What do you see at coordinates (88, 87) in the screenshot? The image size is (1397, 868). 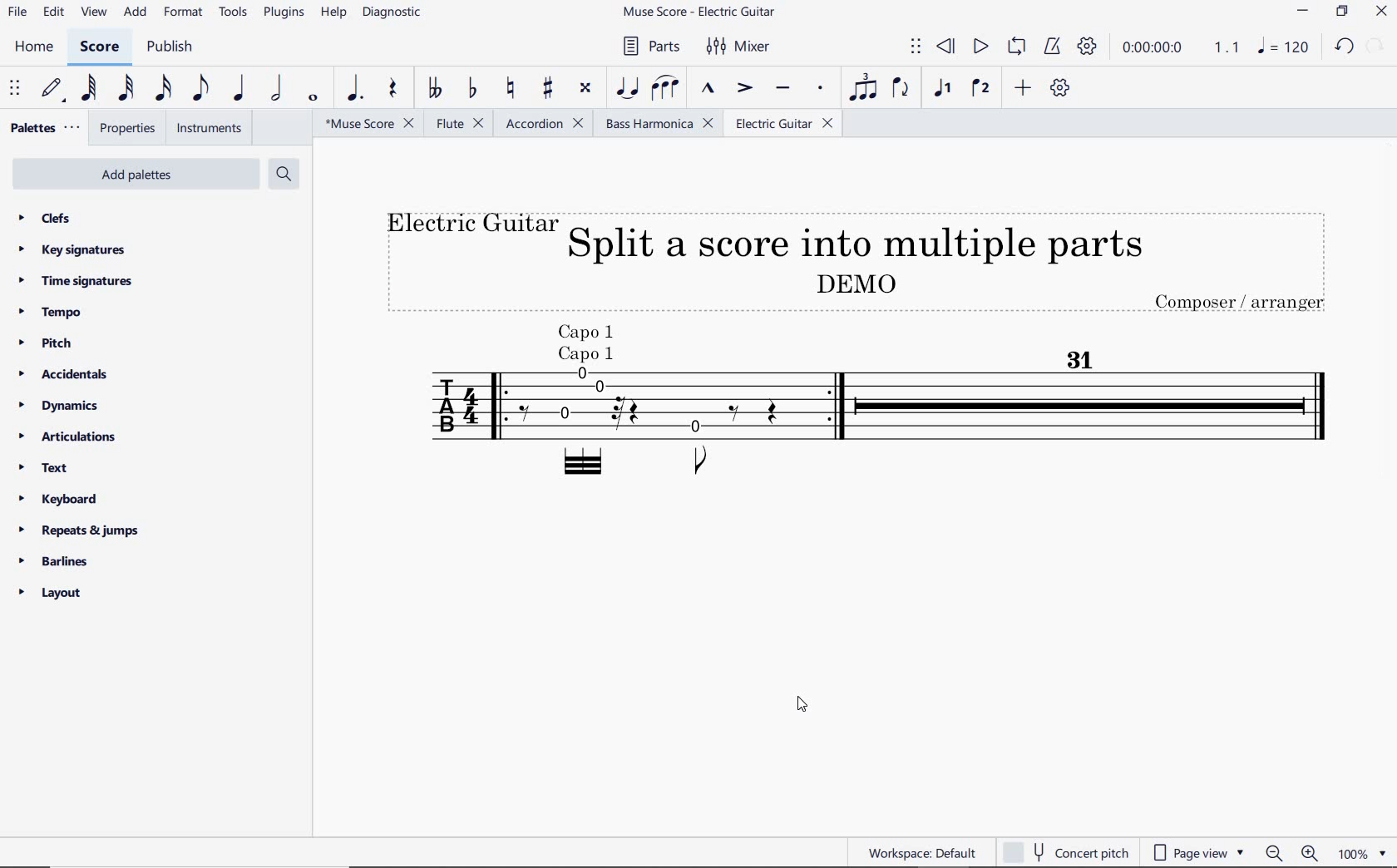 I see `64th note` at bounding box center [88, 87].